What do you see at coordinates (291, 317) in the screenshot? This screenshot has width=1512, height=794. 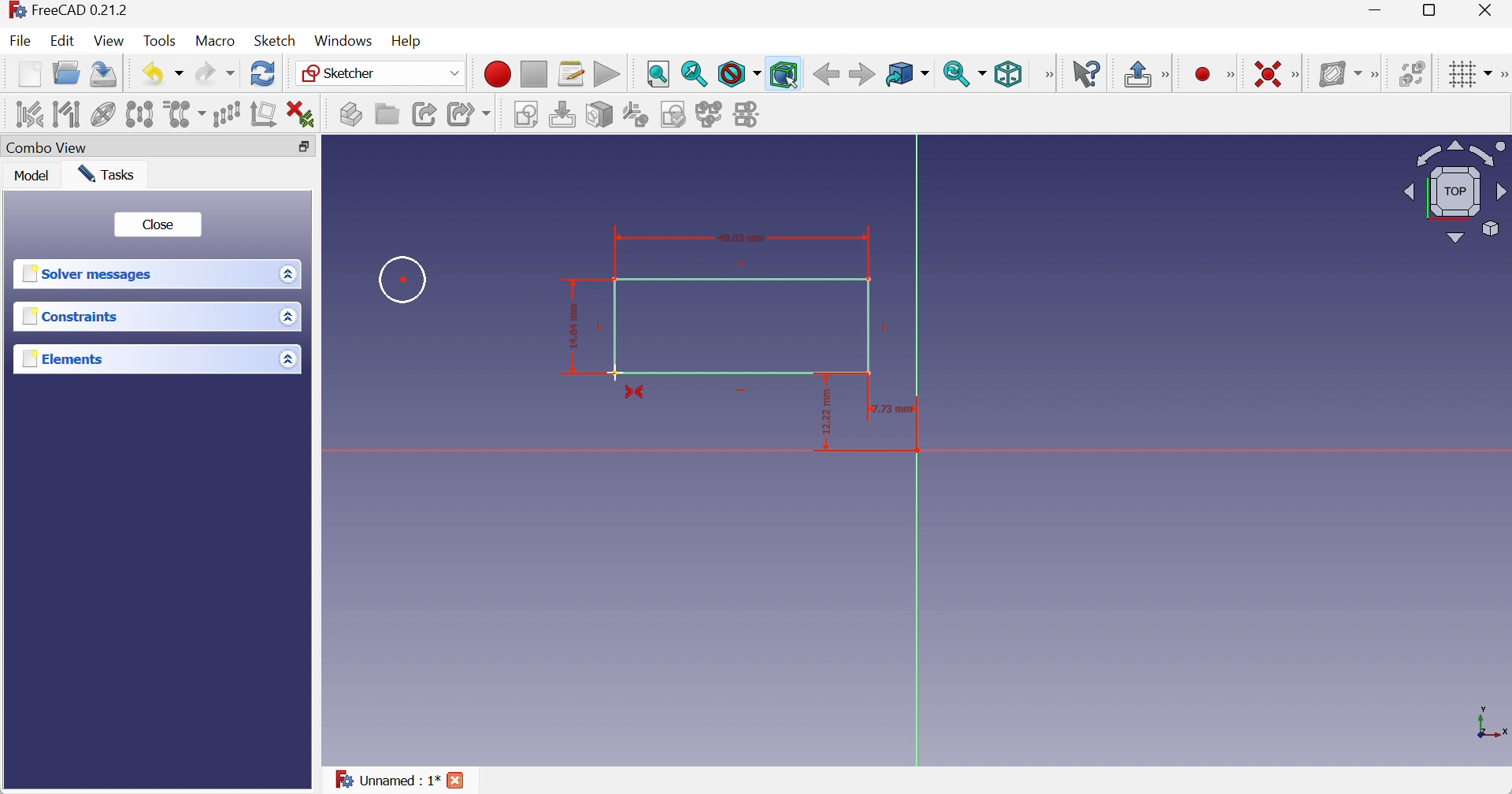 I see `Drop down` at bounding box center [291, 317].